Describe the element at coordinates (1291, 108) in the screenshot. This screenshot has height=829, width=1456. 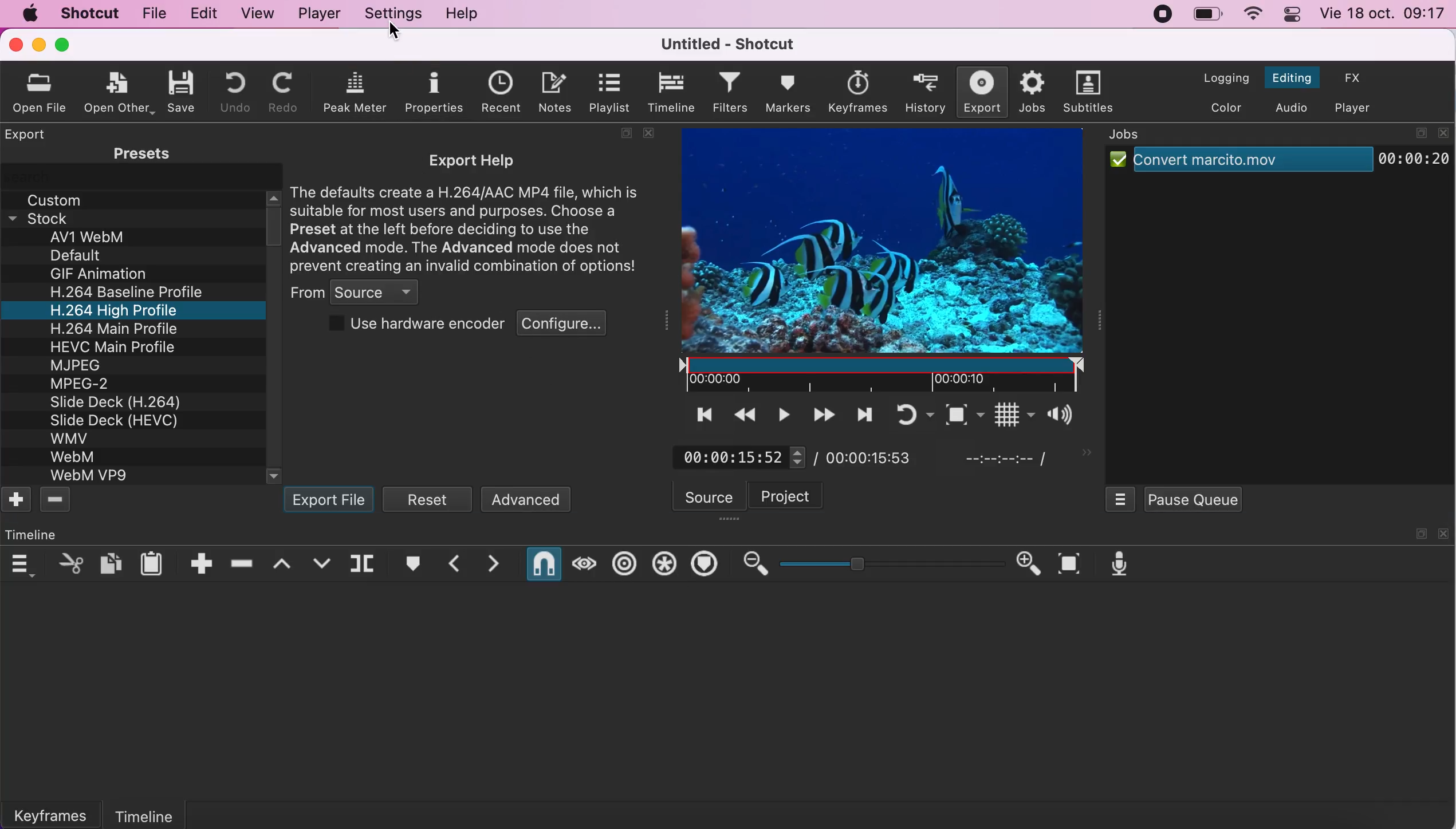
I see `switch to the audio layout` at that location.